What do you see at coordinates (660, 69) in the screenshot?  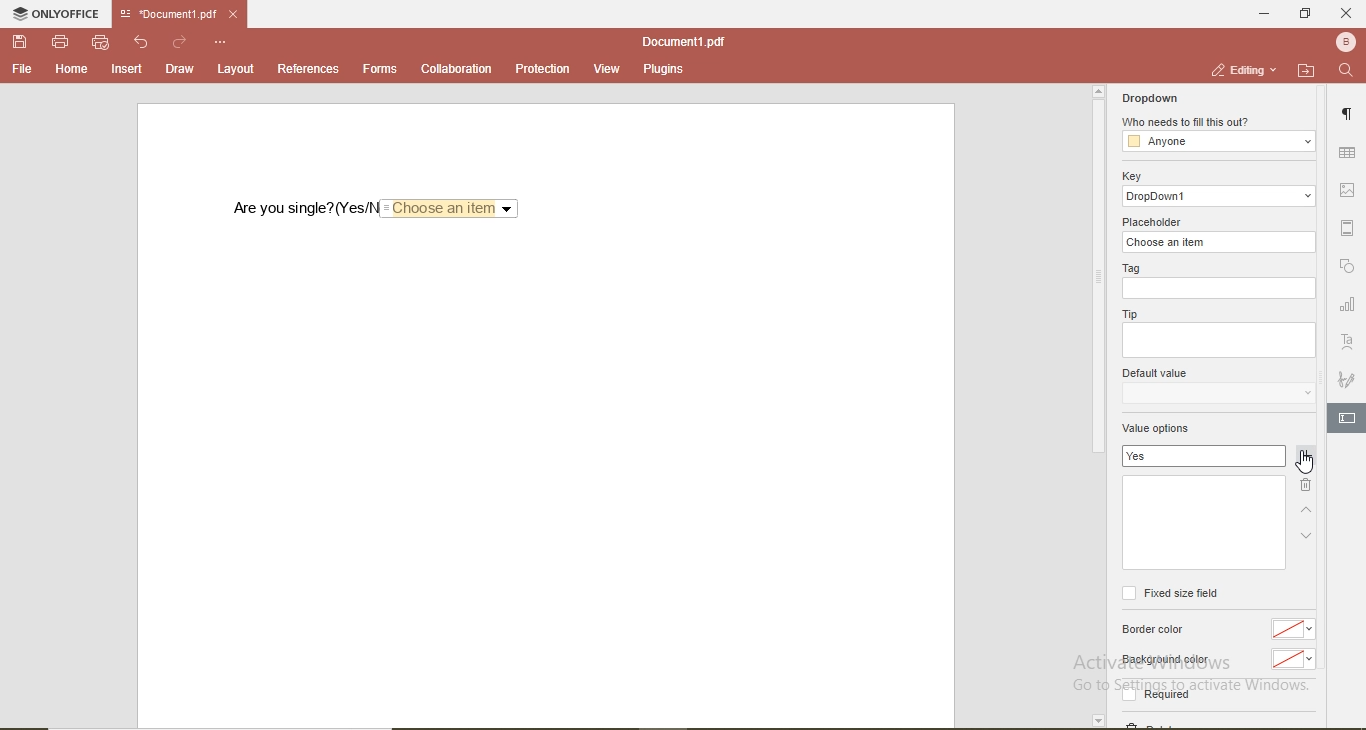 I see `plugins` at bounding box center [660, 69].